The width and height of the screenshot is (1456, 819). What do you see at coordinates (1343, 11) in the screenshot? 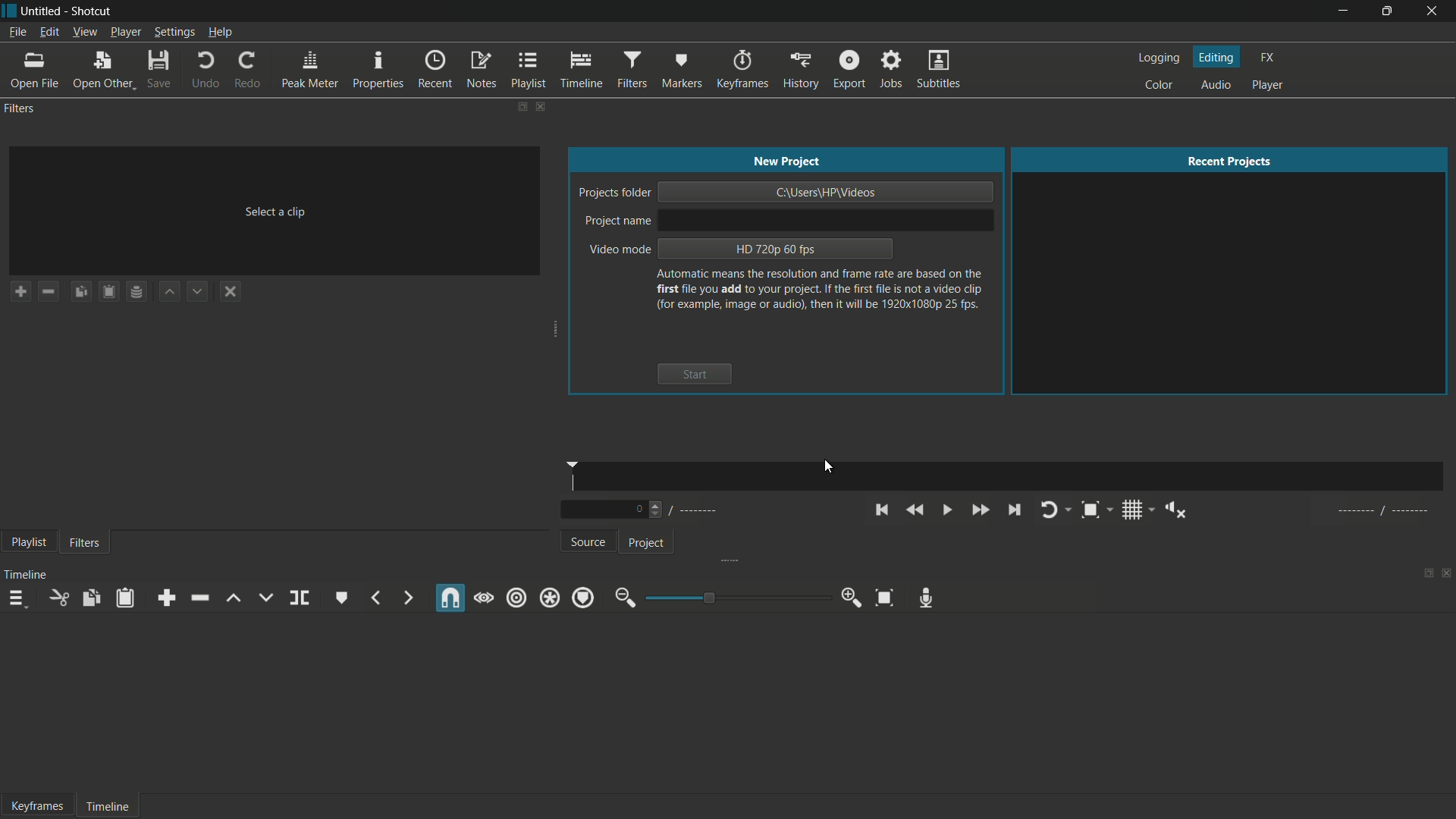
I see `minimize` at bounding box center [1343, 11].